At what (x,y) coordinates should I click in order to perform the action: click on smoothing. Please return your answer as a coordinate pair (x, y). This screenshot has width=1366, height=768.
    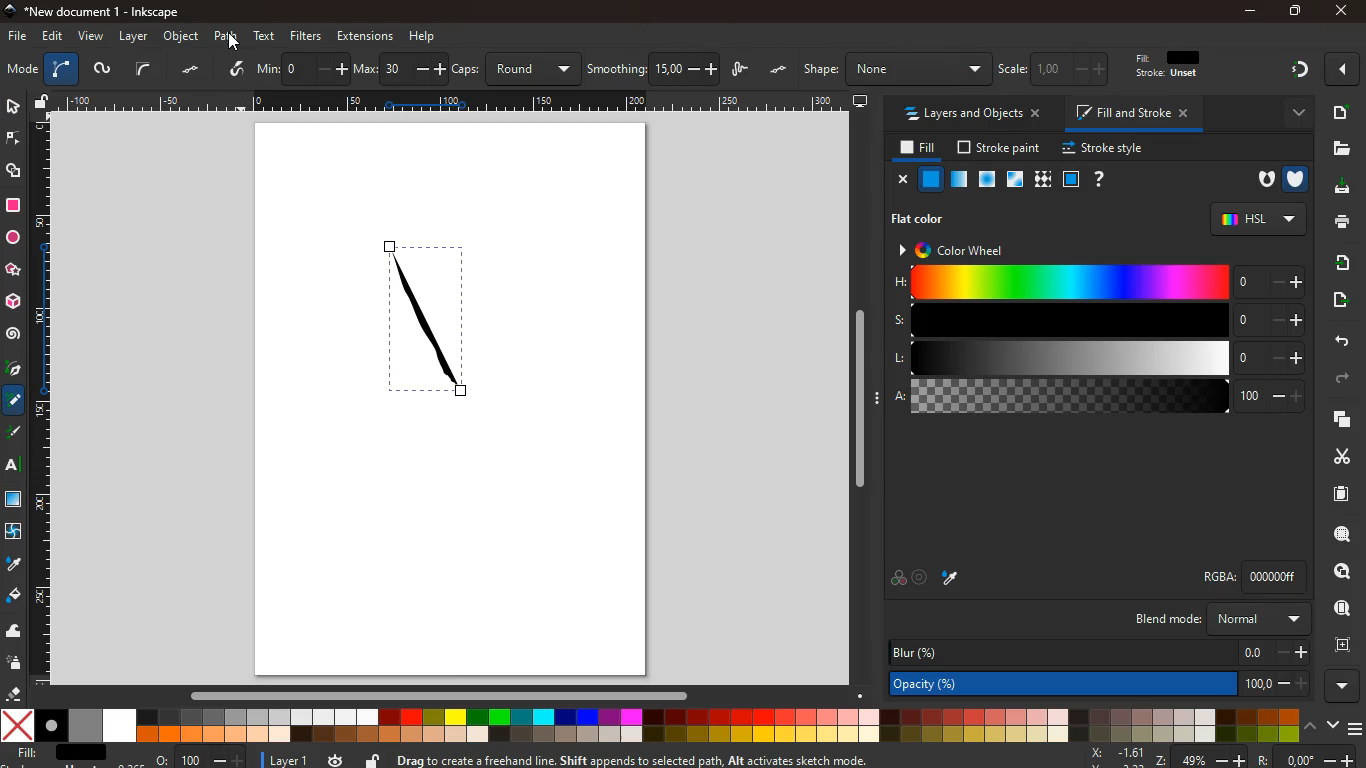
    Looking at the image, I should click on (654, 69).